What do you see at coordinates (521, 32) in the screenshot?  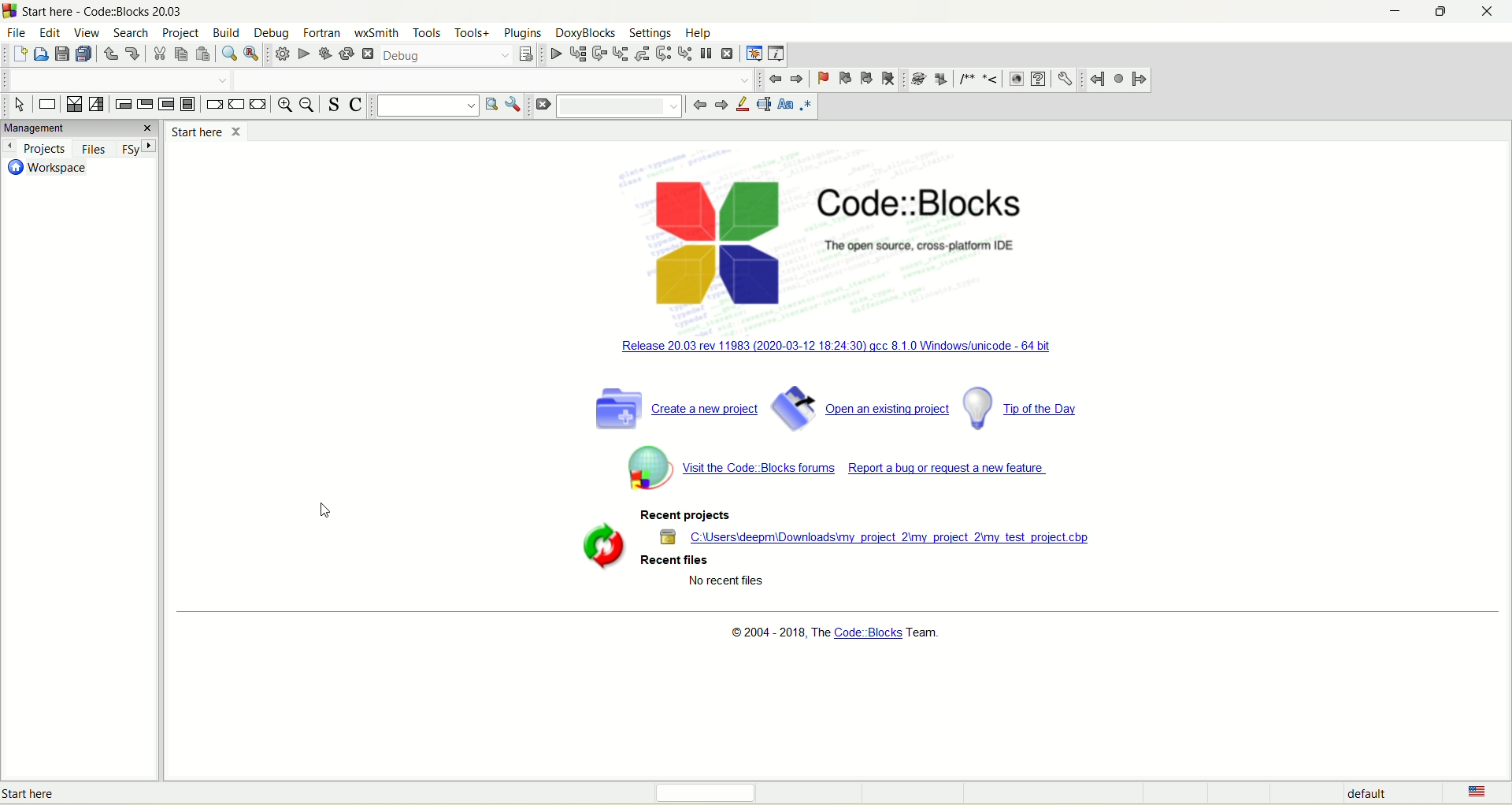 I see `plugins` at bounding box center [521, 32].